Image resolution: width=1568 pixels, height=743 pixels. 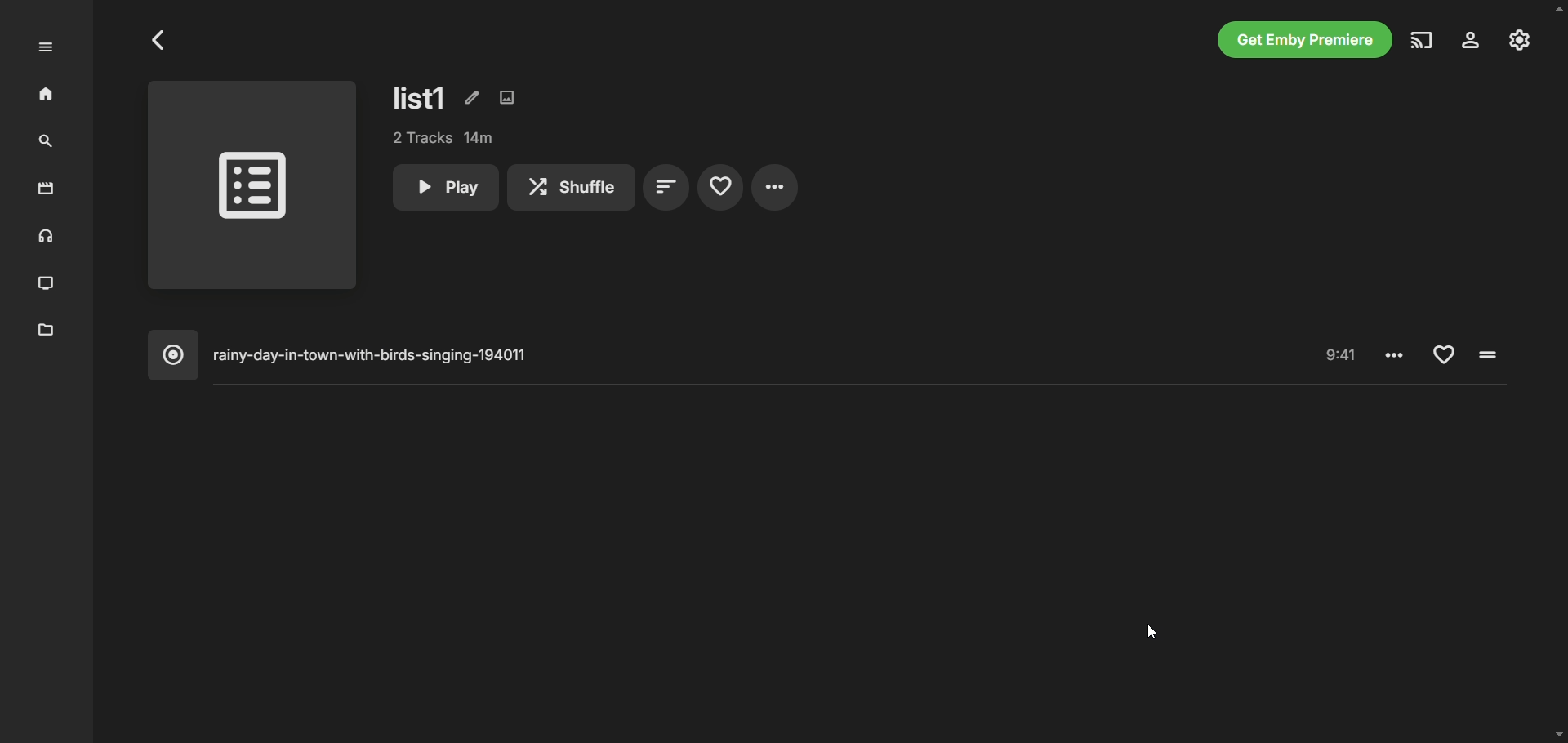 What do you see at coordinates (47, 331) in the screenshot?
I see `metadata manager` at bounding box center [47, 331].